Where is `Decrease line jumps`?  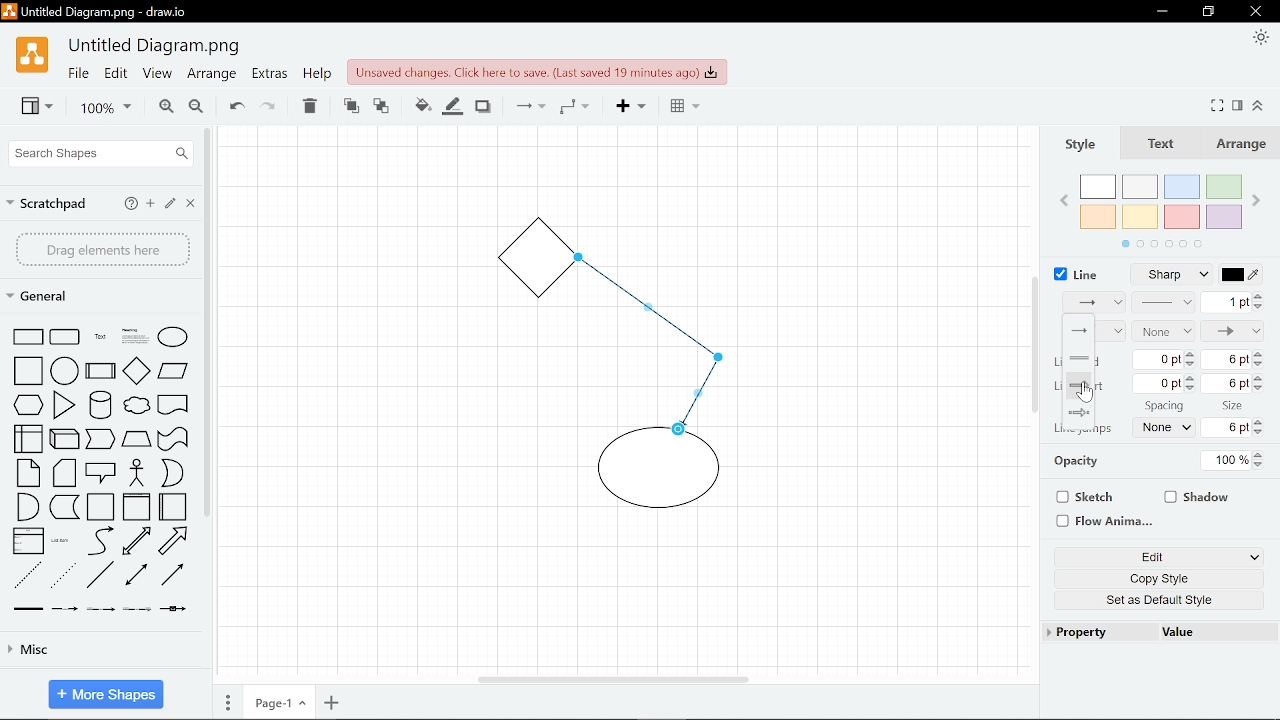 Decrease line jumps is located at coordinates (1263, 434).